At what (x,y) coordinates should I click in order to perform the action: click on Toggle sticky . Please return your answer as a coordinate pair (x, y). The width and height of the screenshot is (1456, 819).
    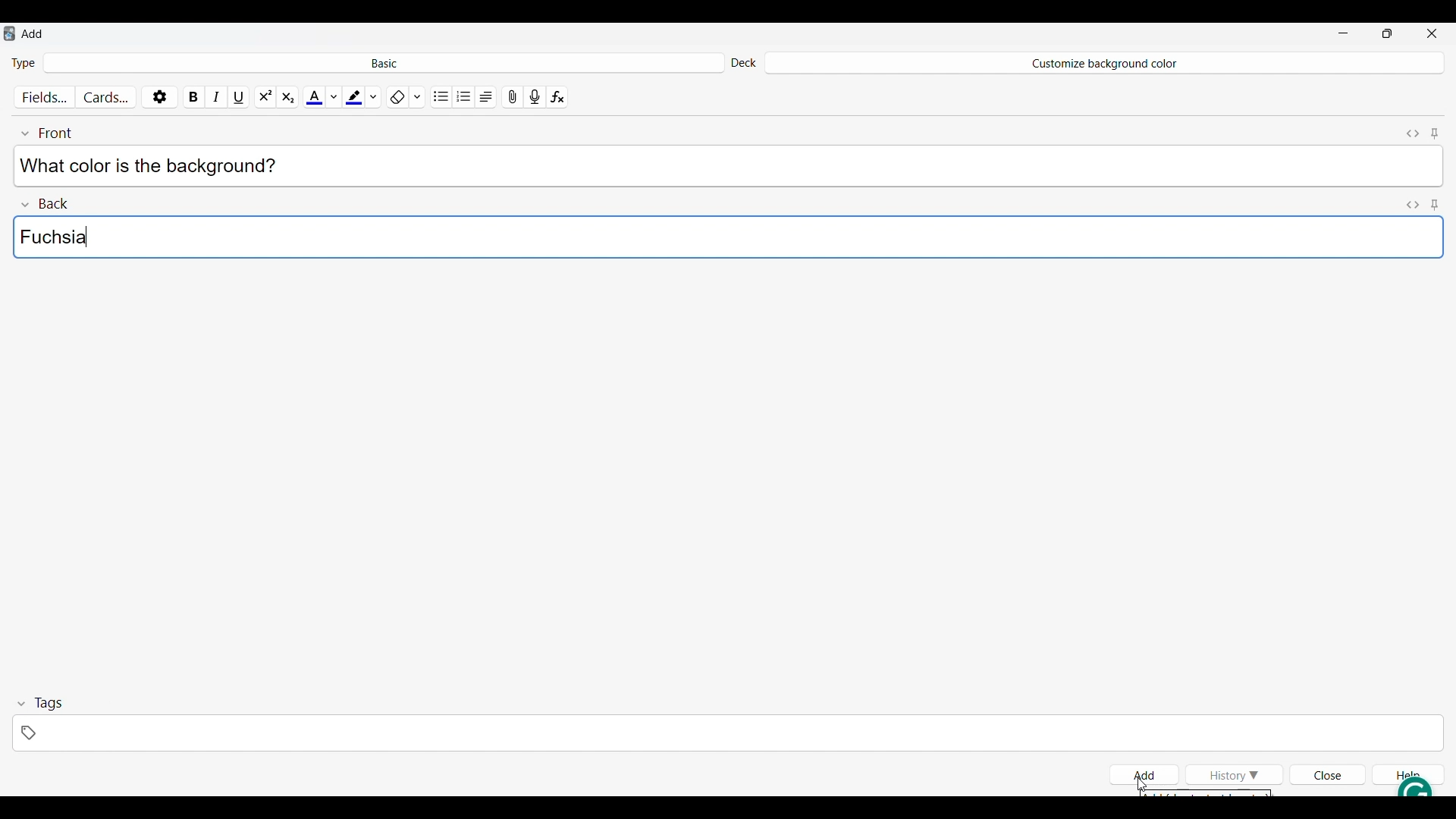
    Looking at the image, I should click on (1434, 132).